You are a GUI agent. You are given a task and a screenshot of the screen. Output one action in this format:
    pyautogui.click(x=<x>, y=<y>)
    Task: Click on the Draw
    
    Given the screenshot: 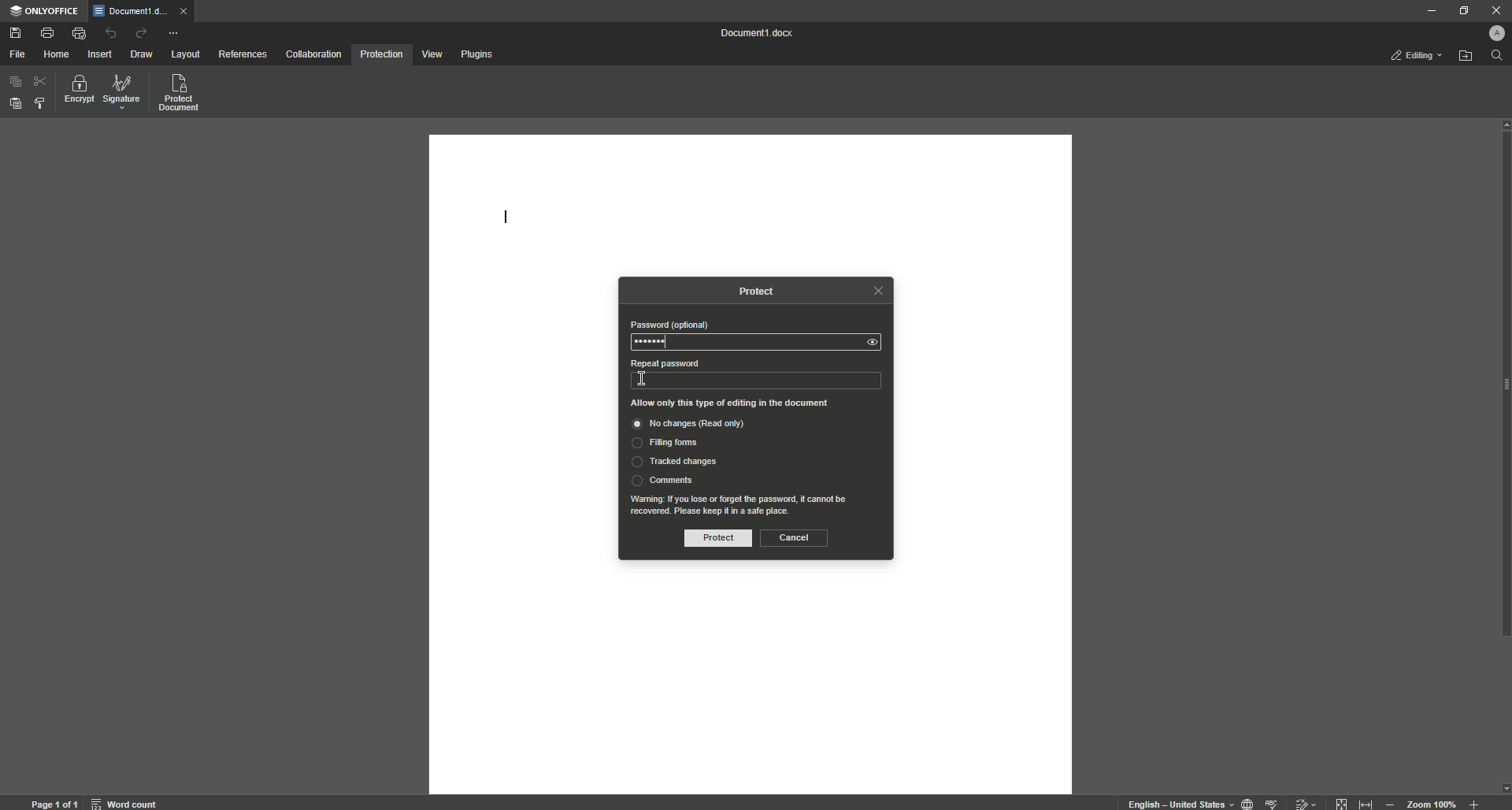 What is the action you would take?
    pyautogui.click(x=143, y=54)
    